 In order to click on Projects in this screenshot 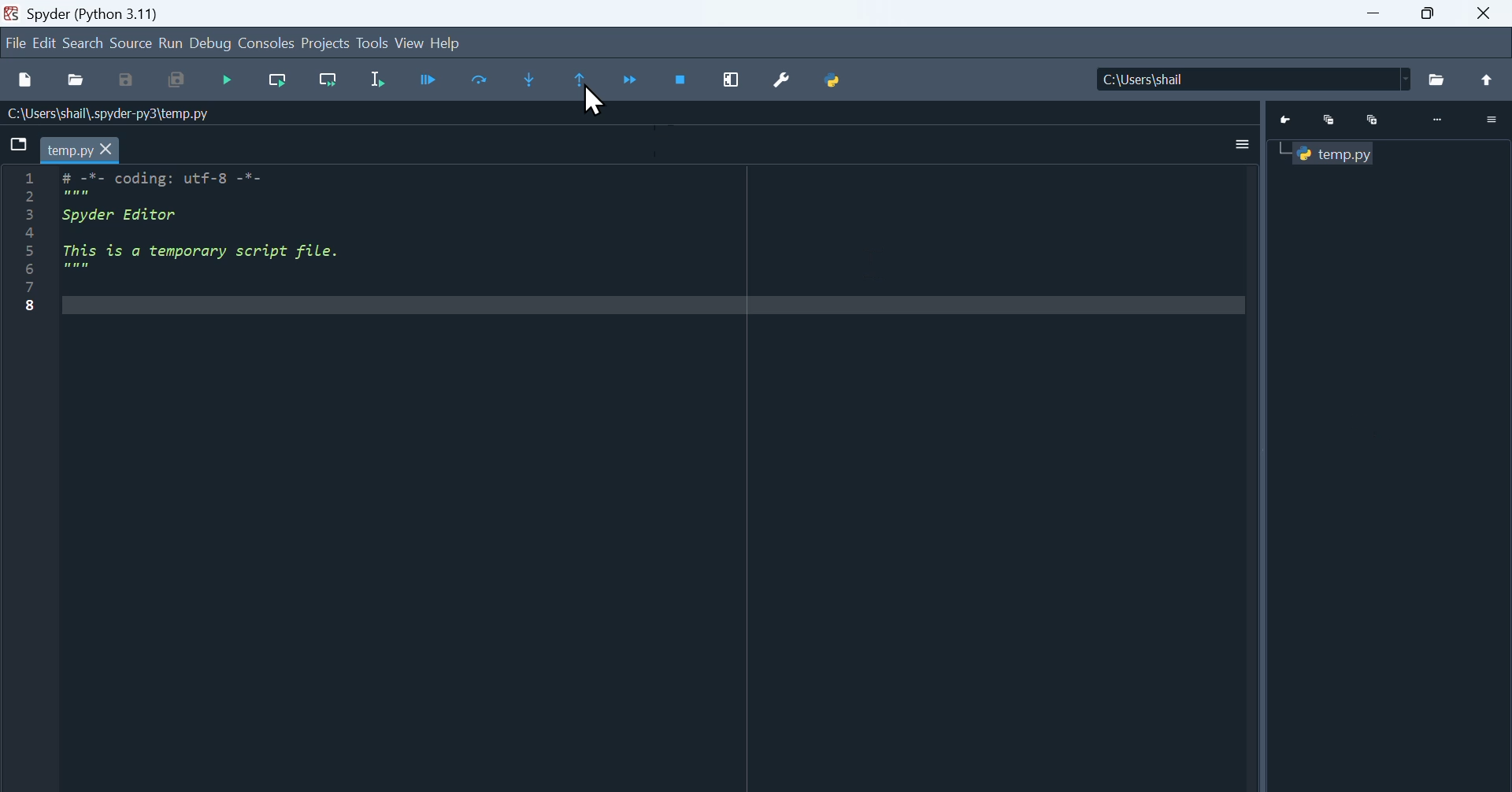, I will do `click(326, 41)`.